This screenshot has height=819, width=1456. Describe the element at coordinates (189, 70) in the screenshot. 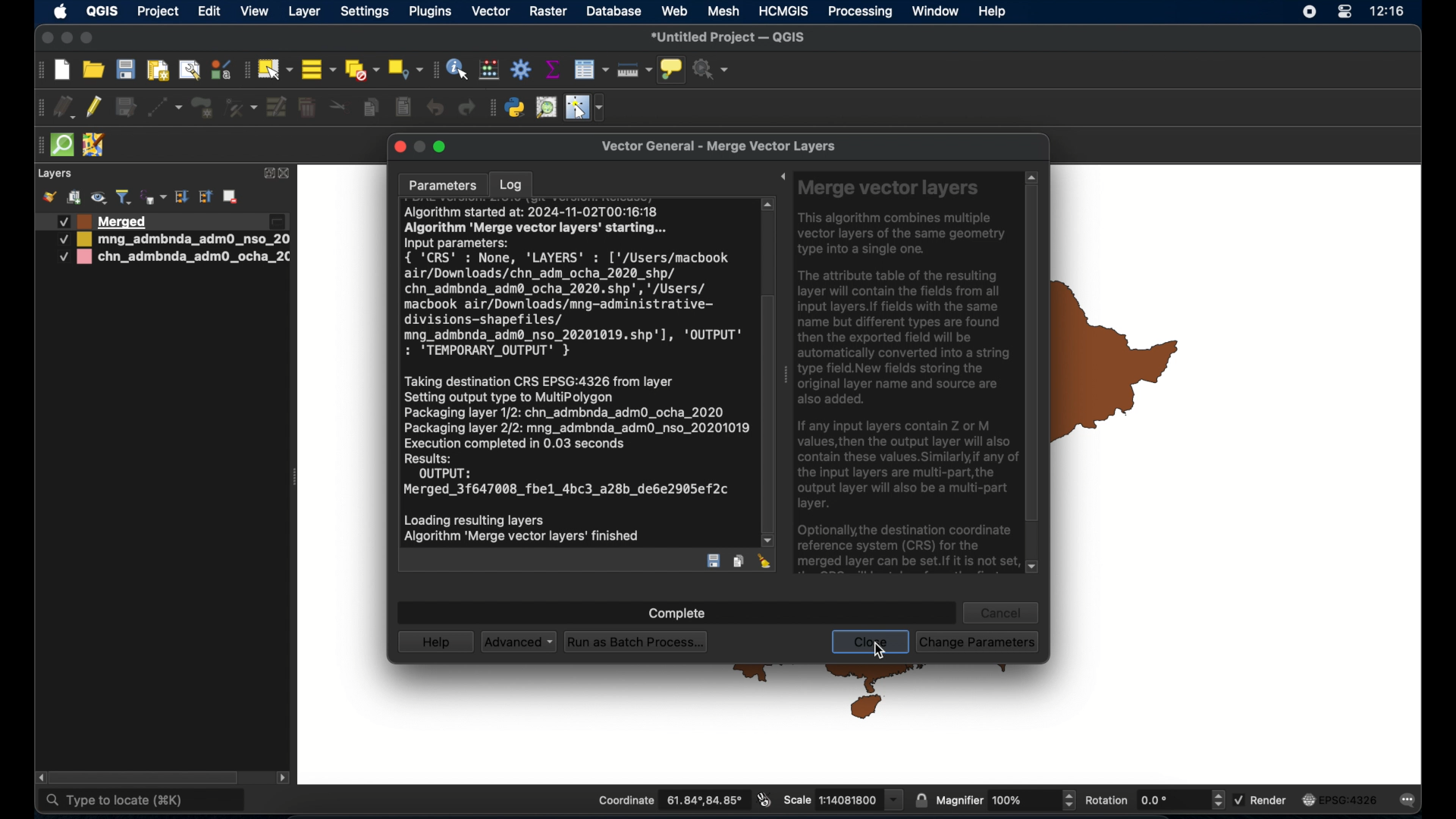

I see `open layout manager` at that location.